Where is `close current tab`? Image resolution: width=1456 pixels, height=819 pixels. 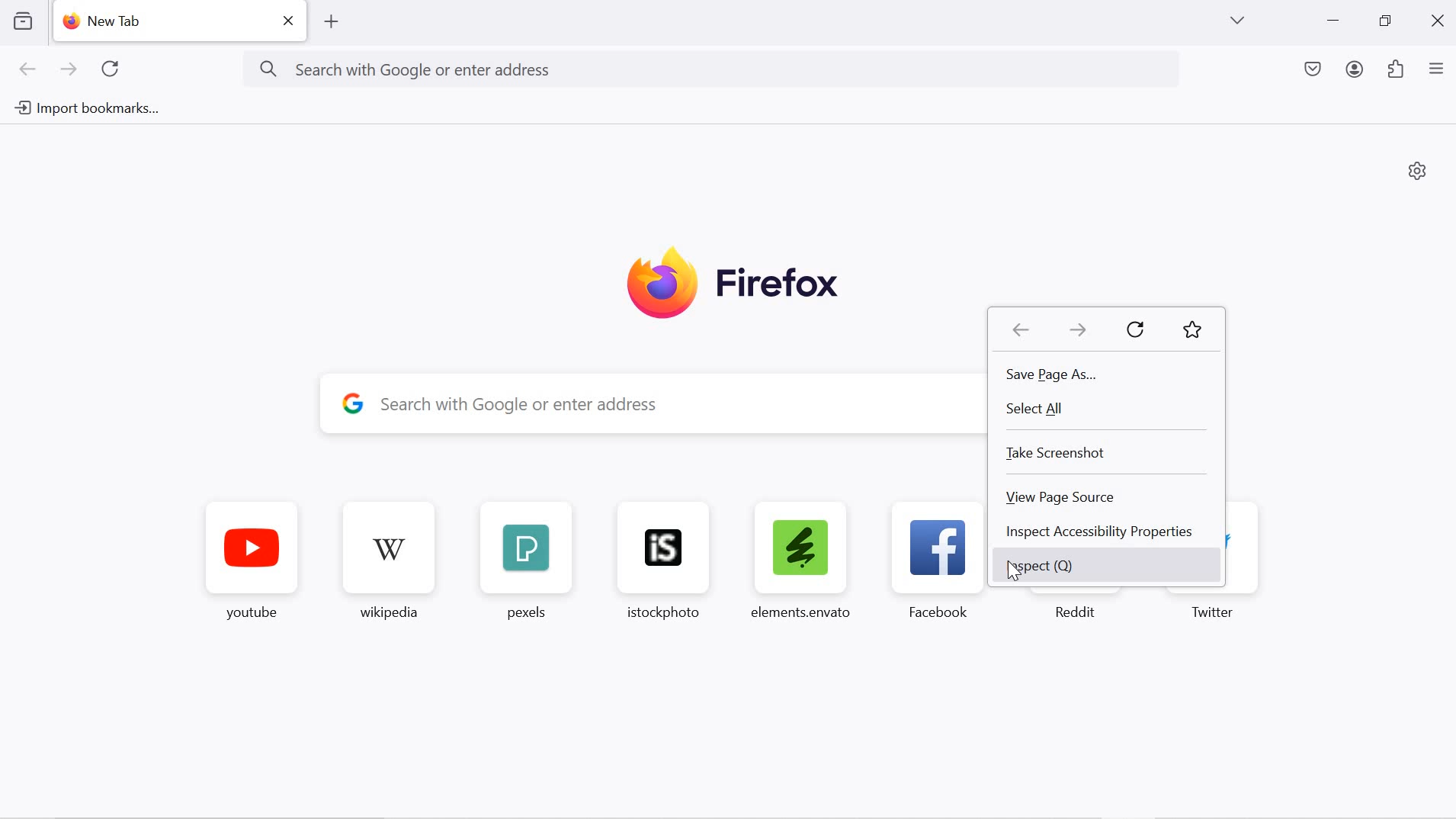 close current tab is located at coordinates (287, 21).